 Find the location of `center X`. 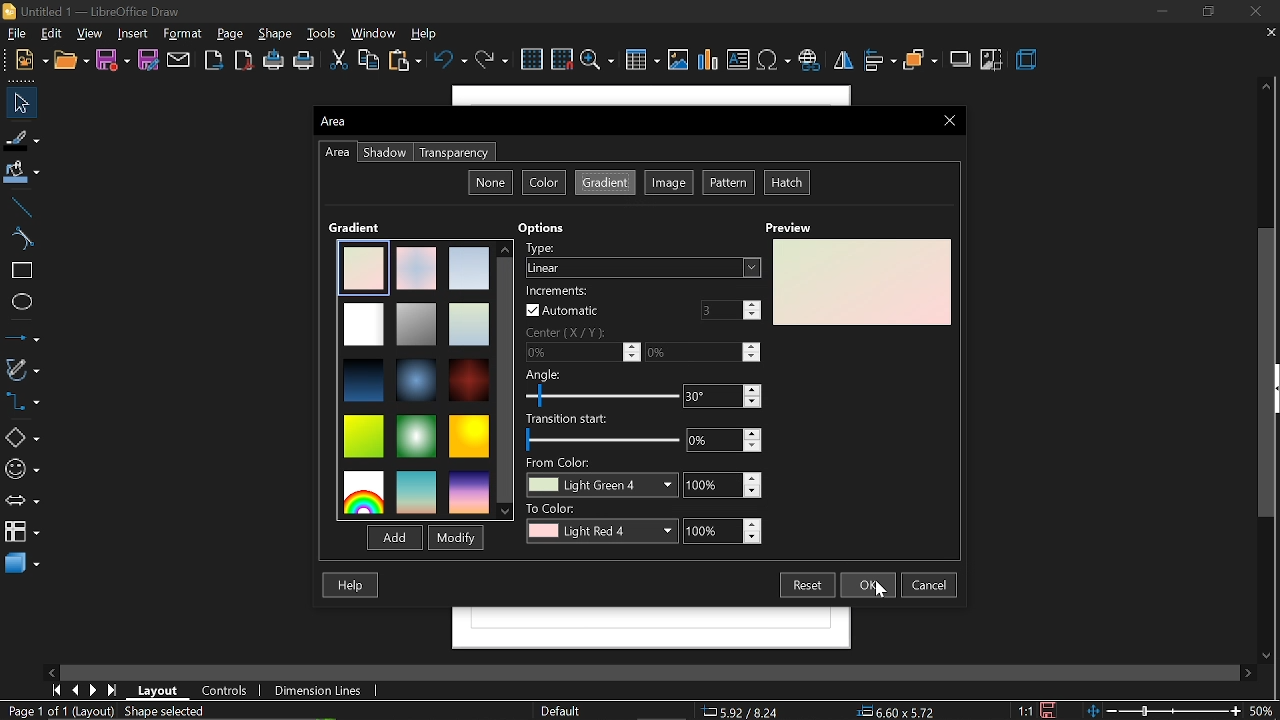

center X is located at coordinates (582, 344).